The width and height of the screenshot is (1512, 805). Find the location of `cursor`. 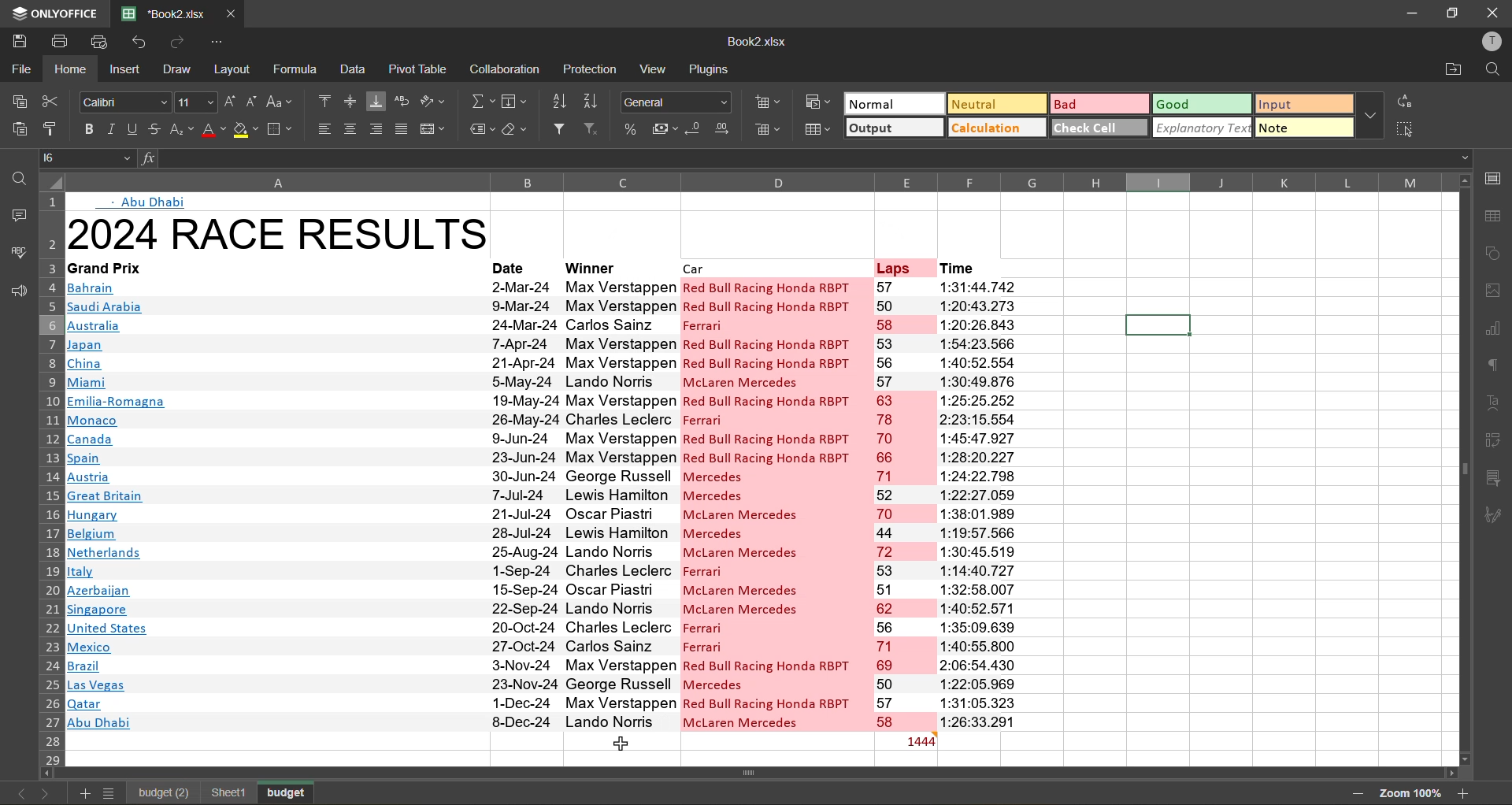

cursor is located at coordinates (623, 742).